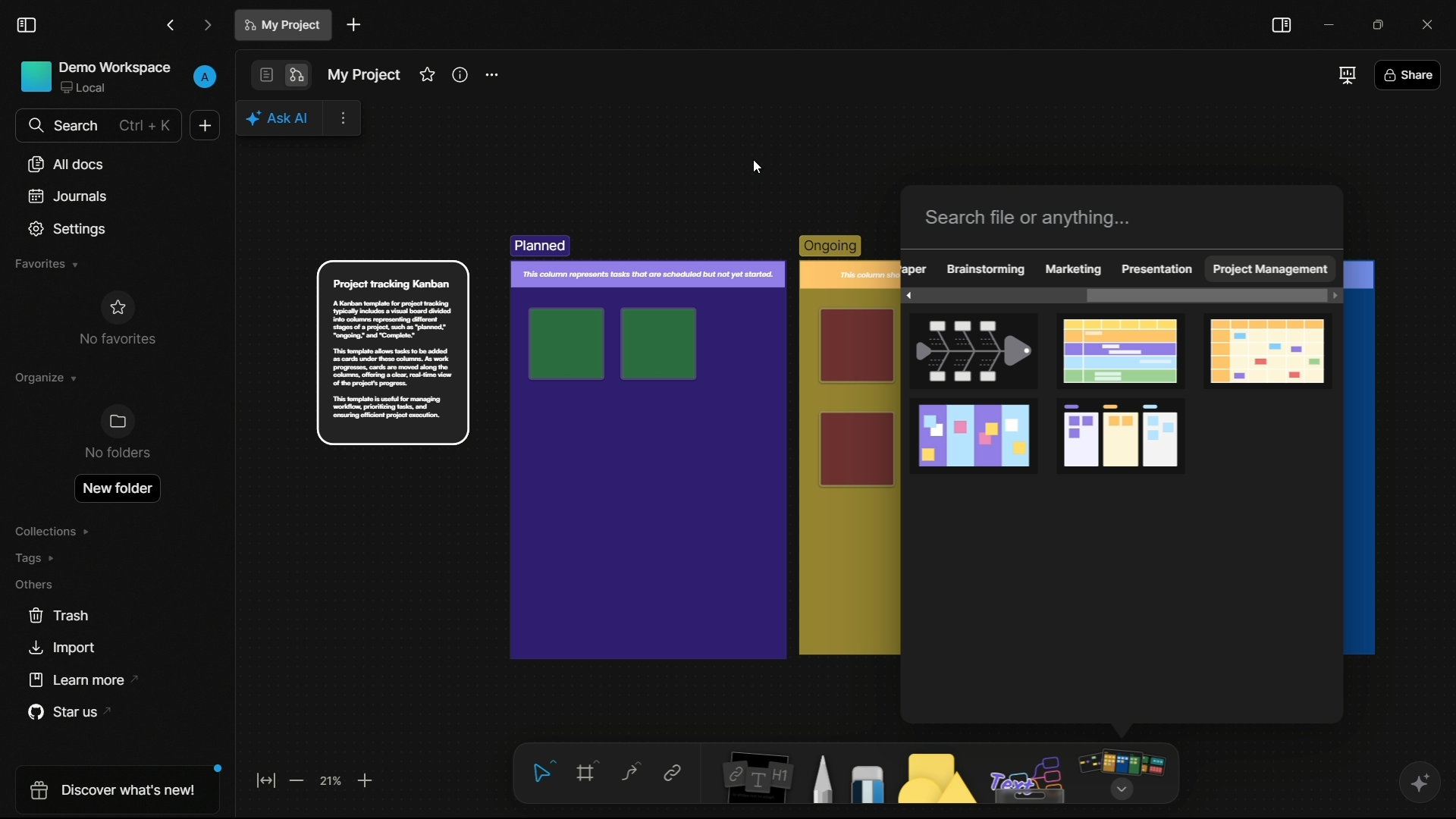 This screenshot has height=819, width=1456. I want to click on others, so click(33, 584).